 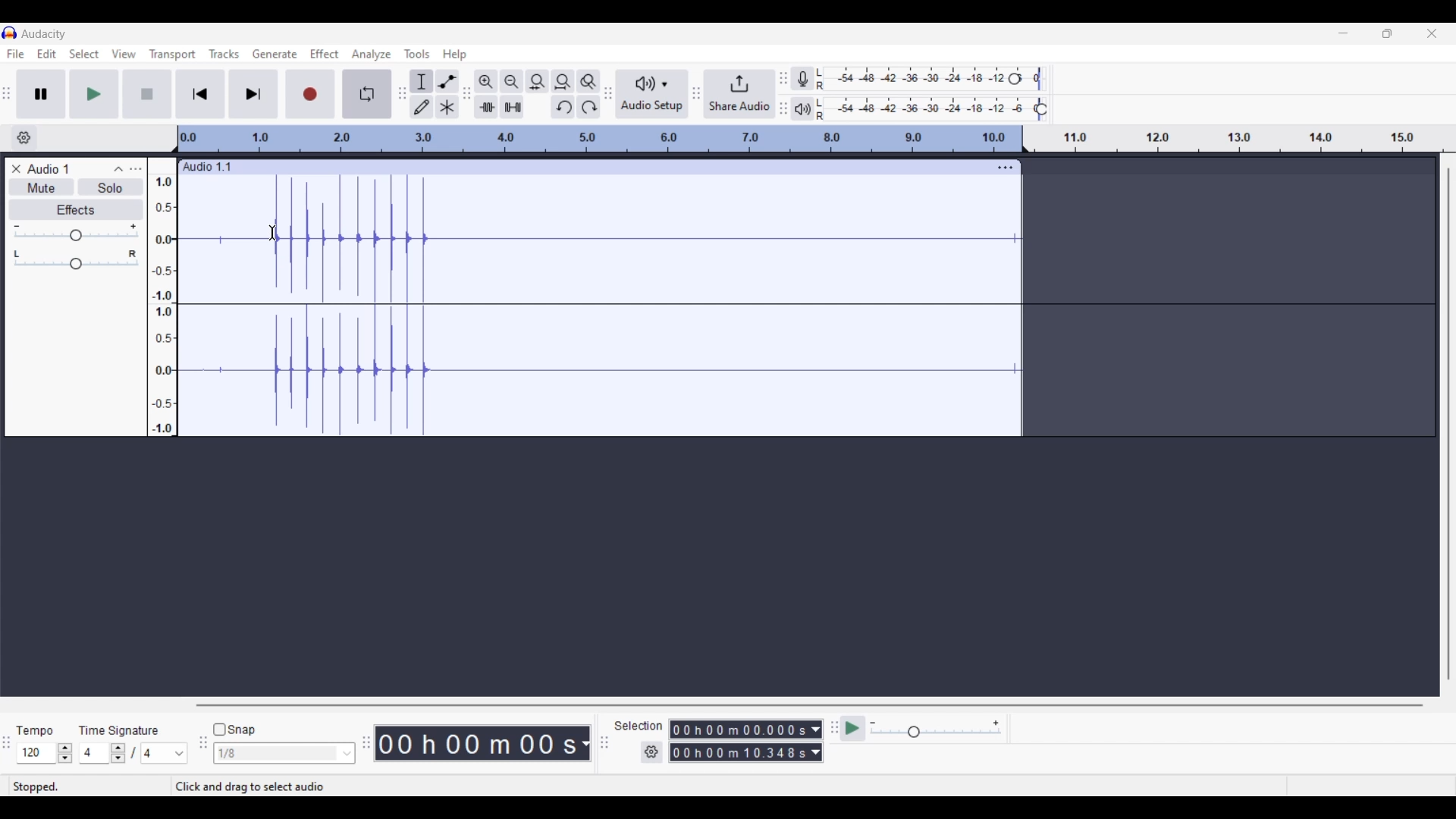 What do you see at coordinates (368, 94) in the screenshot?
I see `Enable looping` at bounding box center [368, 94].